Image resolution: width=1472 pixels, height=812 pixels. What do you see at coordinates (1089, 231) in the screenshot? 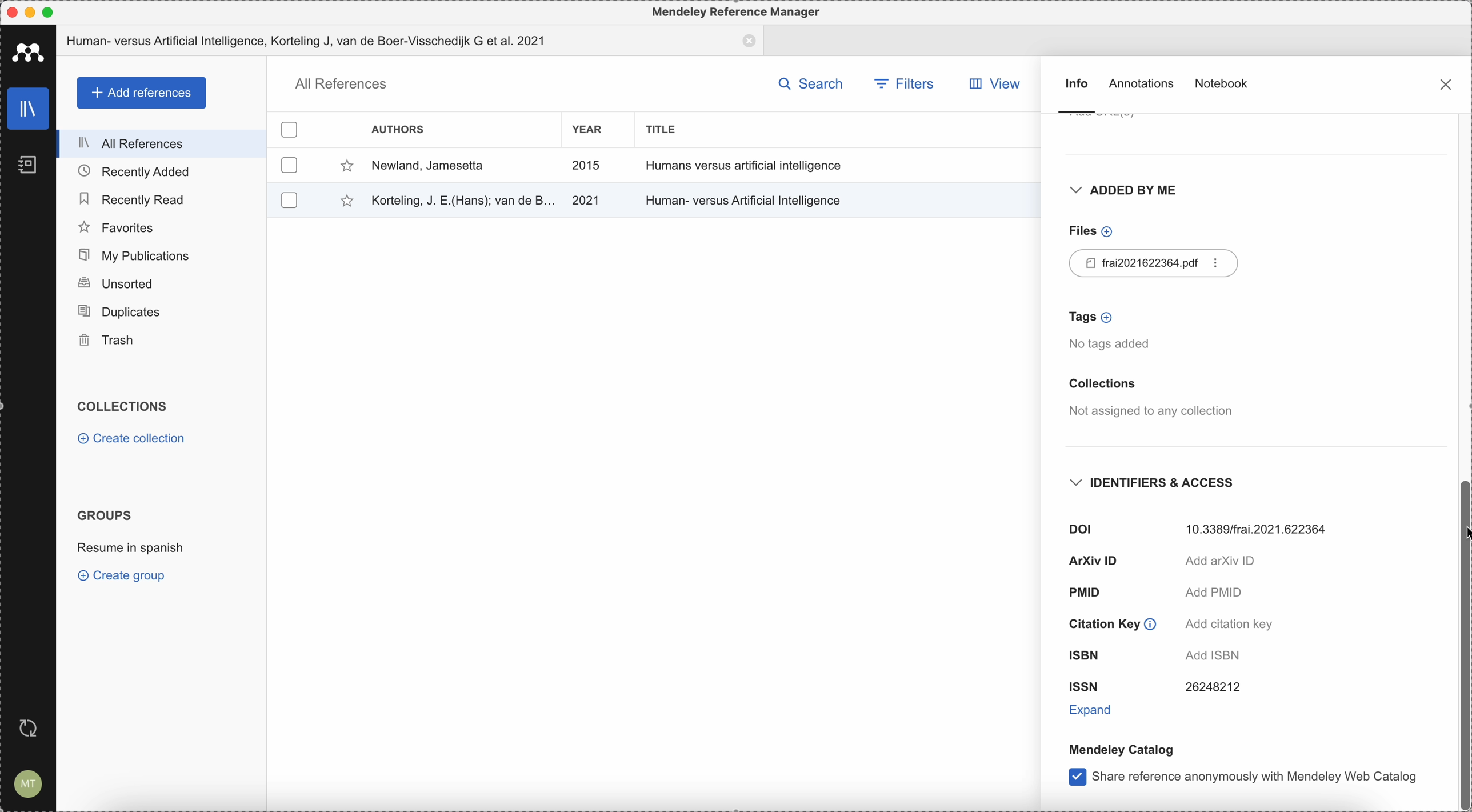
I see `files` at bounding box center [1089, 231].